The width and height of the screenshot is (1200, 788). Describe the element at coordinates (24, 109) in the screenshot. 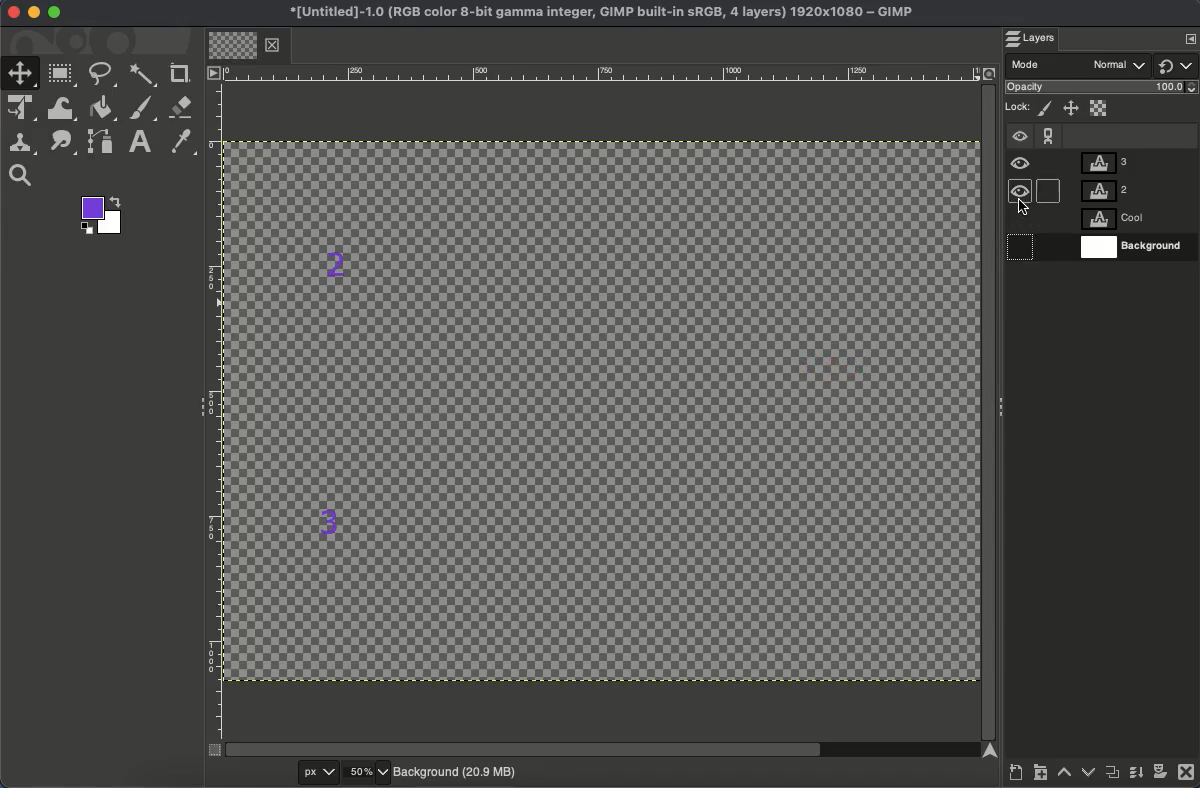

I see `Unified transformation` at that location.